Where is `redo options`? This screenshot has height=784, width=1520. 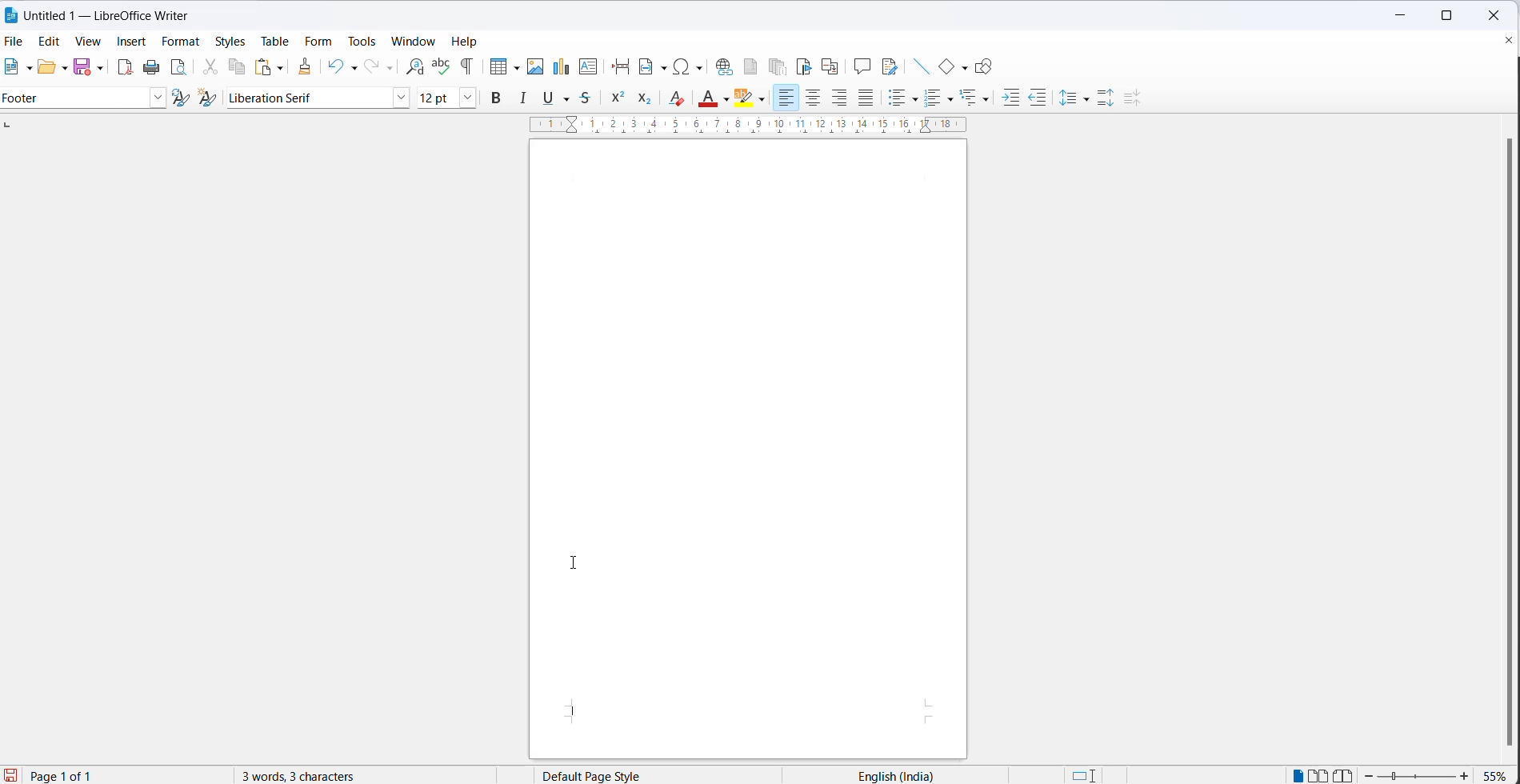
redo options is located at coordinates (388, 67).